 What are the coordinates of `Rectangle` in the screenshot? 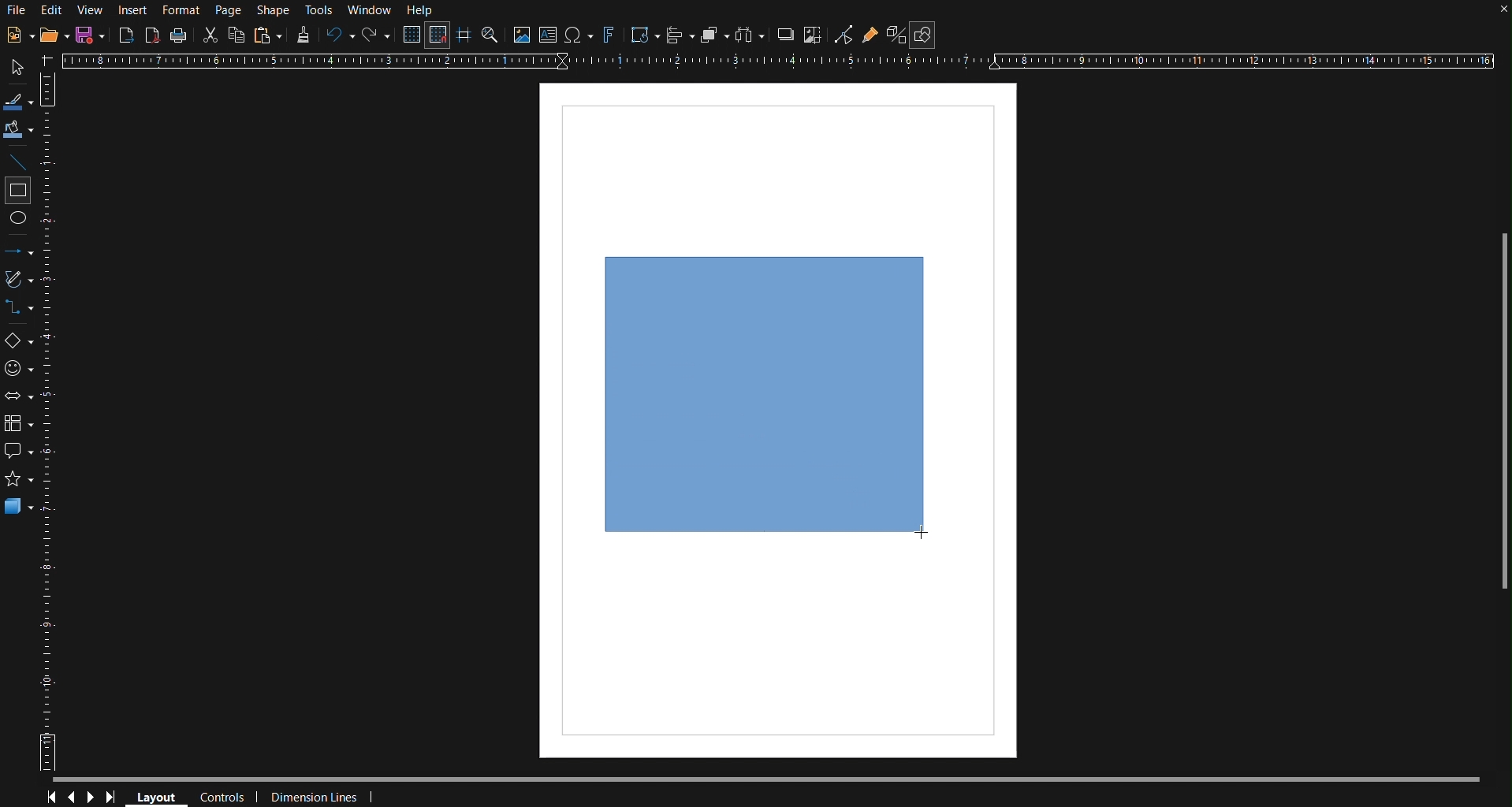 It's located at (18, 191).